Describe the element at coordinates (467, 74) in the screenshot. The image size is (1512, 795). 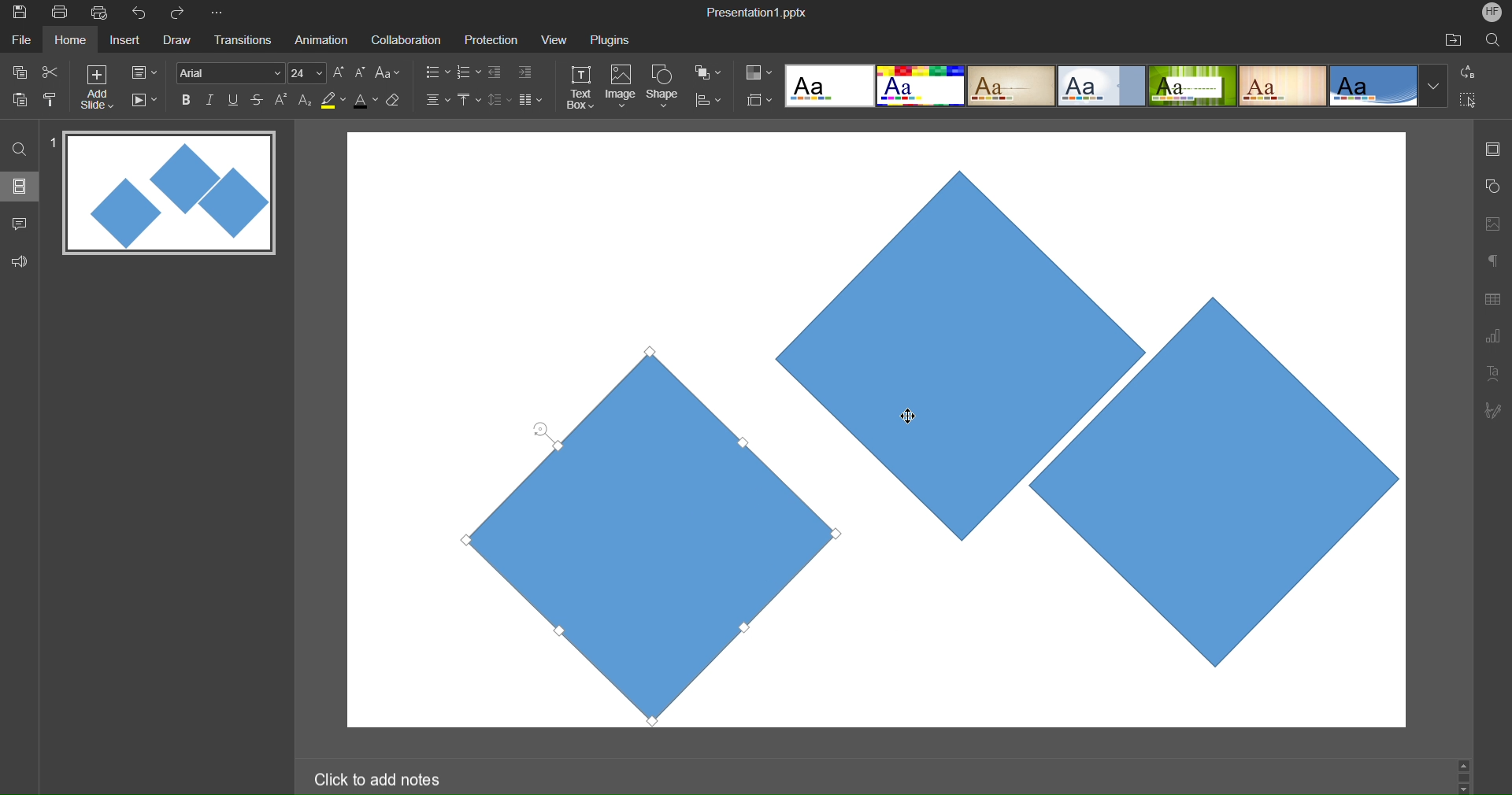
I see `Number List` at that location.